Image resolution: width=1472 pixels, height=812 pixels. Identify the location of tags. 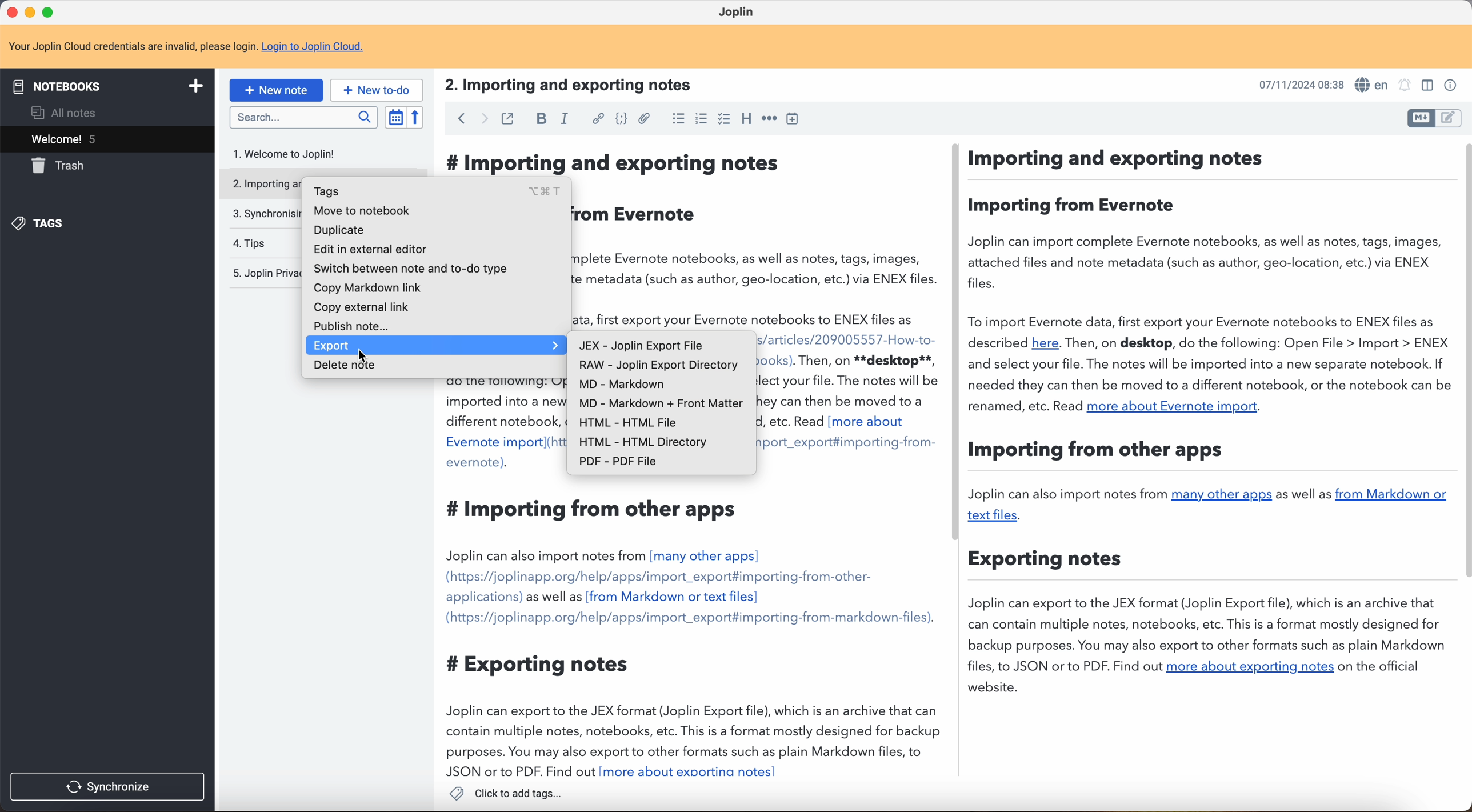
(42, 224).